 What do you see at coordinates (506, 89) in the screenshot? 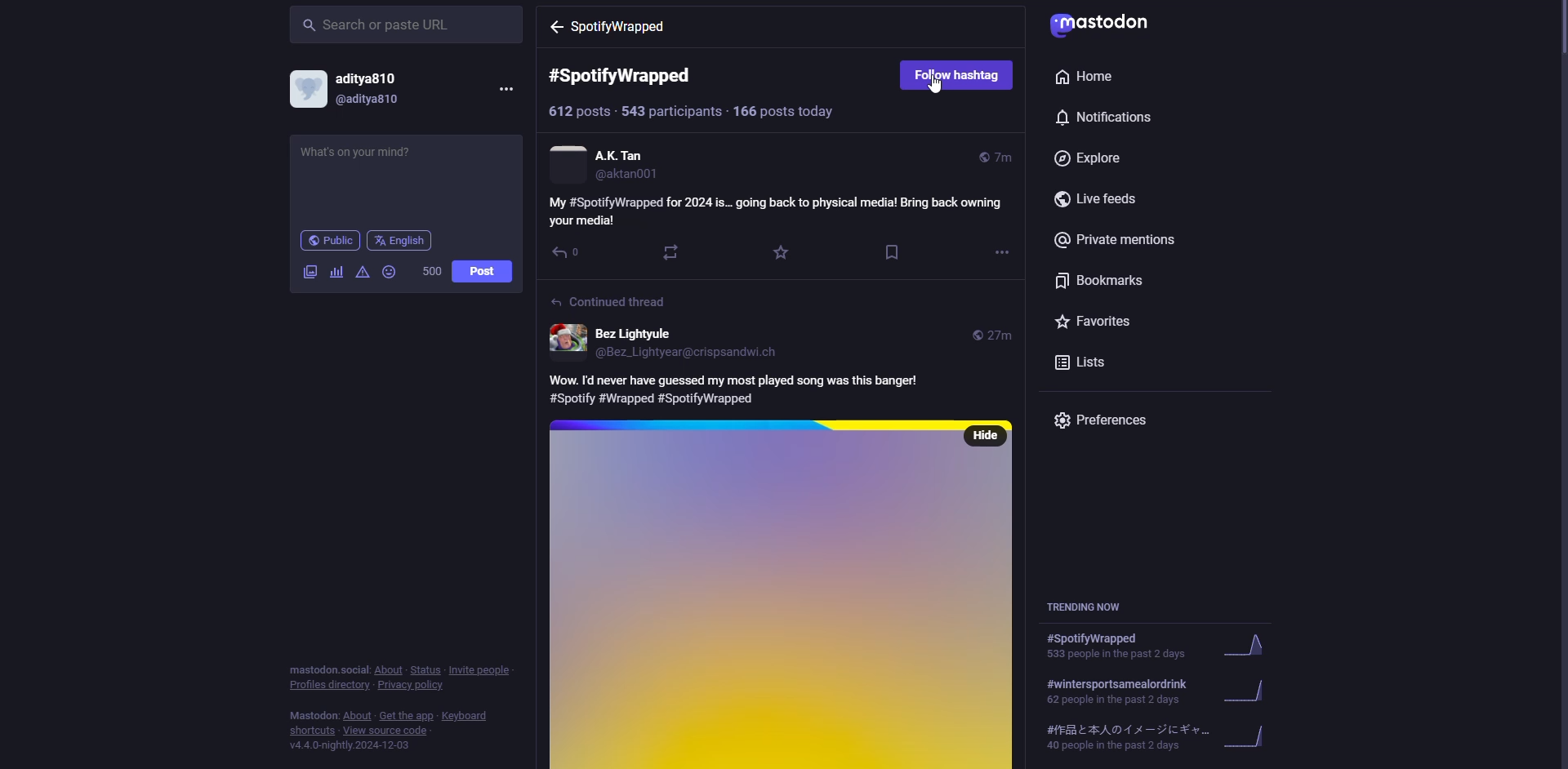
I see `more` at bounding box center [506, 89].